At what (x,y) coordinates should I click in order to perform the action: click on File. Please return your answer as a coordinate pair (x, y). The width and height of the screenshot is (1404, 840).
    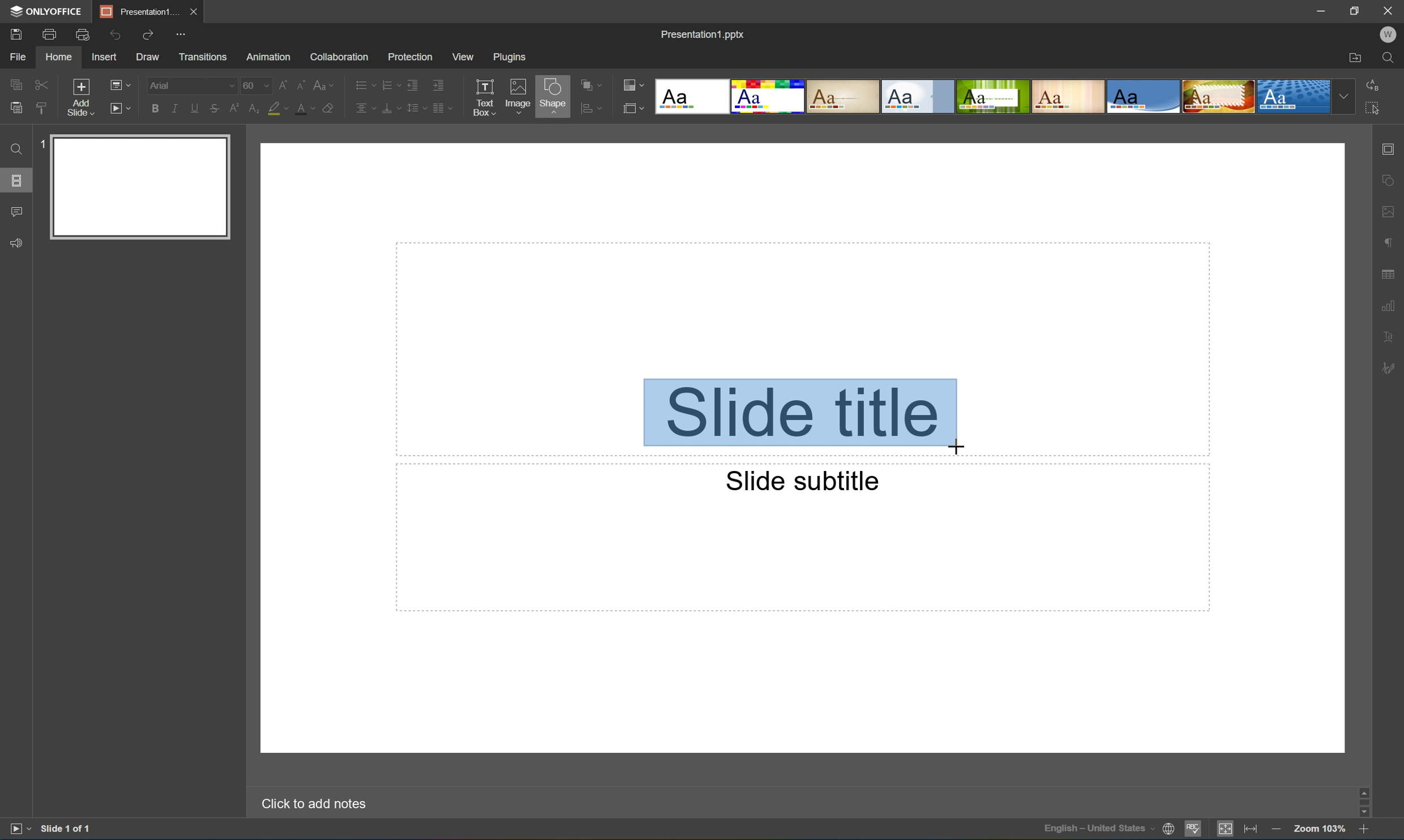
    Looking at the image, I should click on (21, 58).